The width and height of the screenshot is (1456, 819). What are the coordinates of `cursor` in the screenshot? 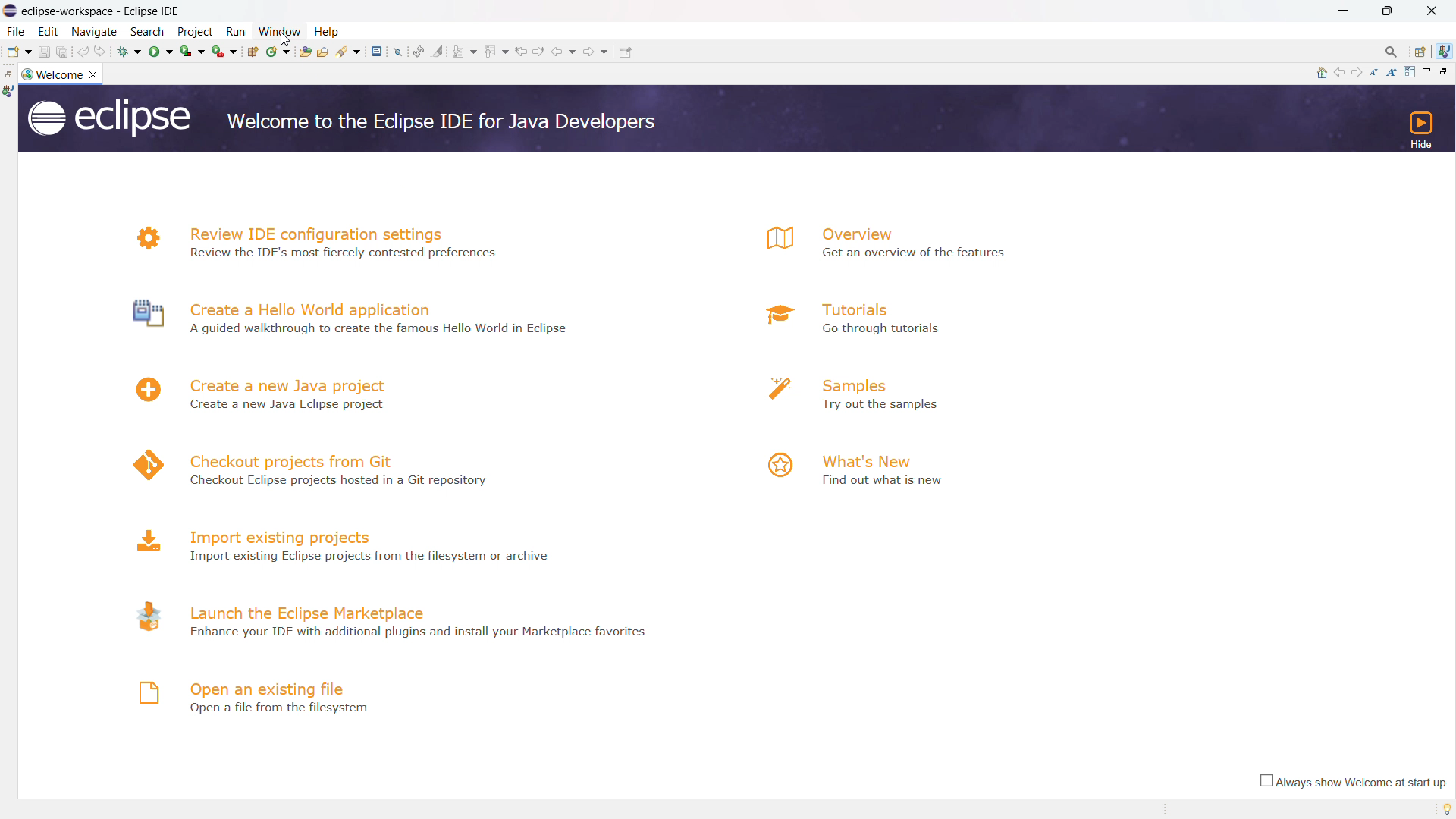 It's located at (285, 39).